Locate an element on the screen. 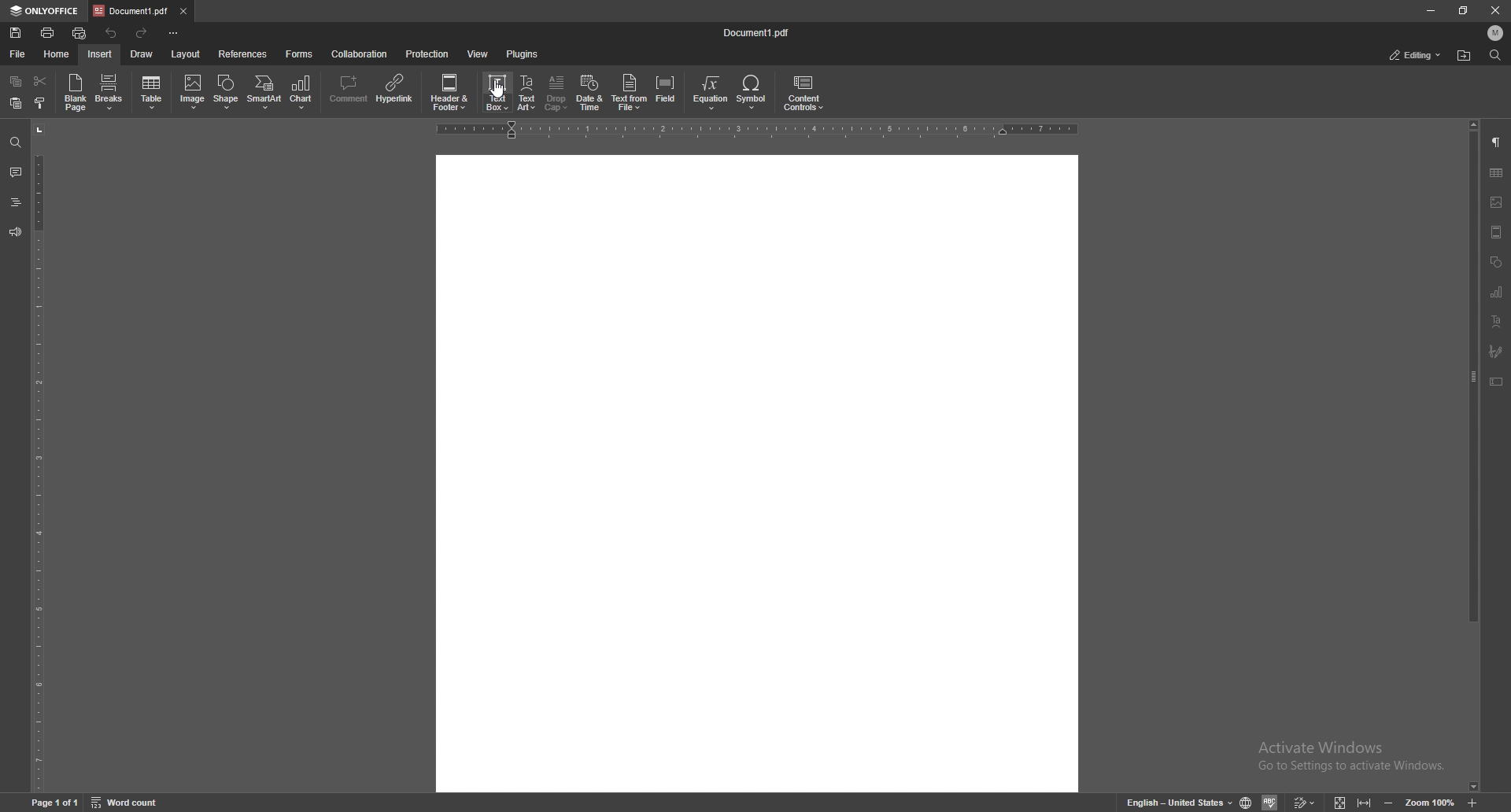 This screenshot has height=812, width=1511. quick print is located at coordinates (79, 34).